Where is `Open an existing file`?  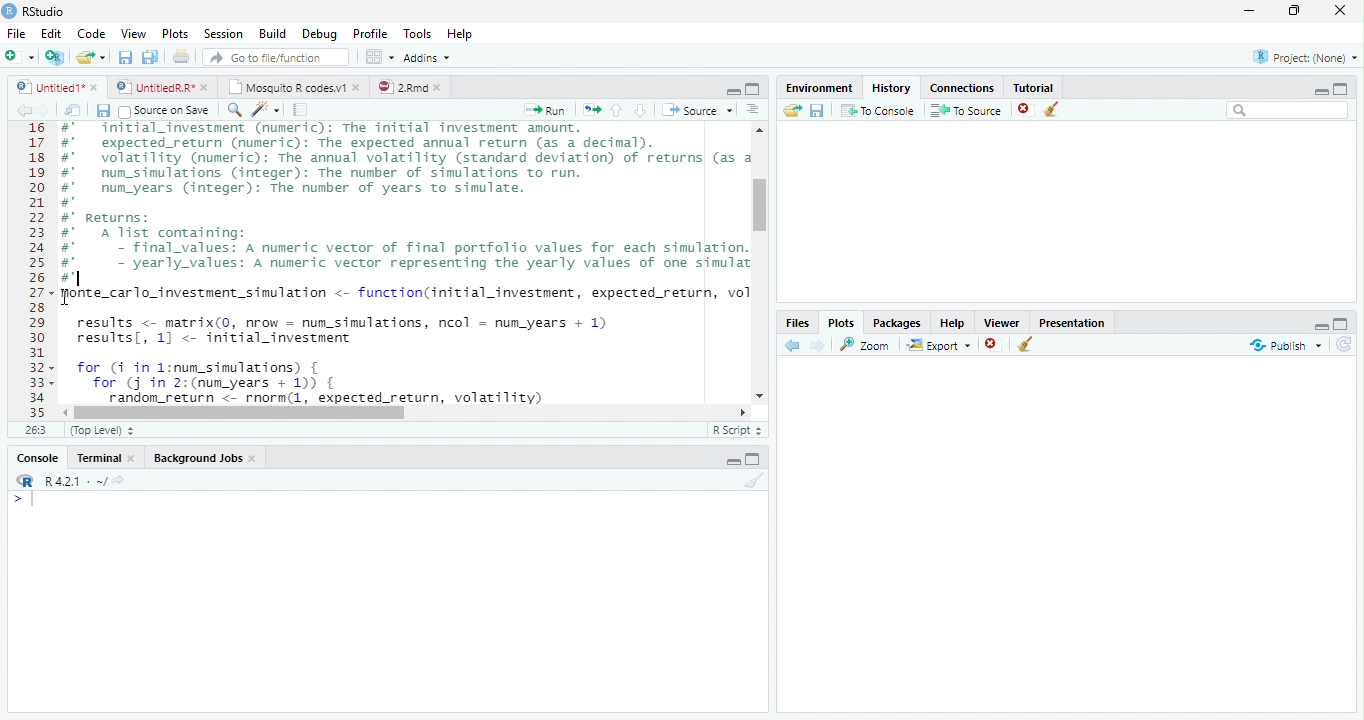
Open an existing file is located at coordinates (91, 56).